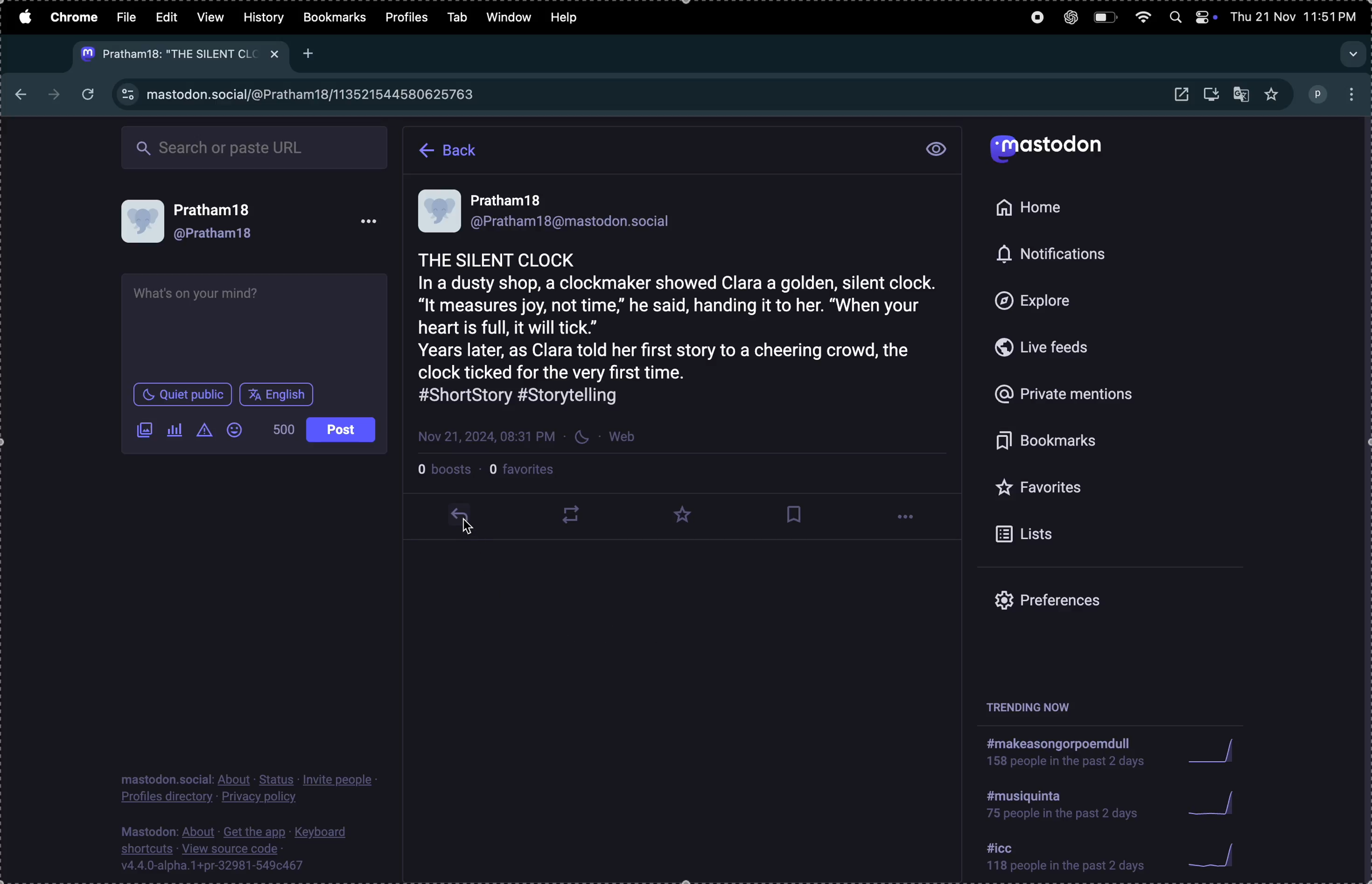 Image resolution: width=1372 pixels, height=884 pixels. Describe the element at coordinates (53, 92) in the screenshot. I see `next page` at that location.